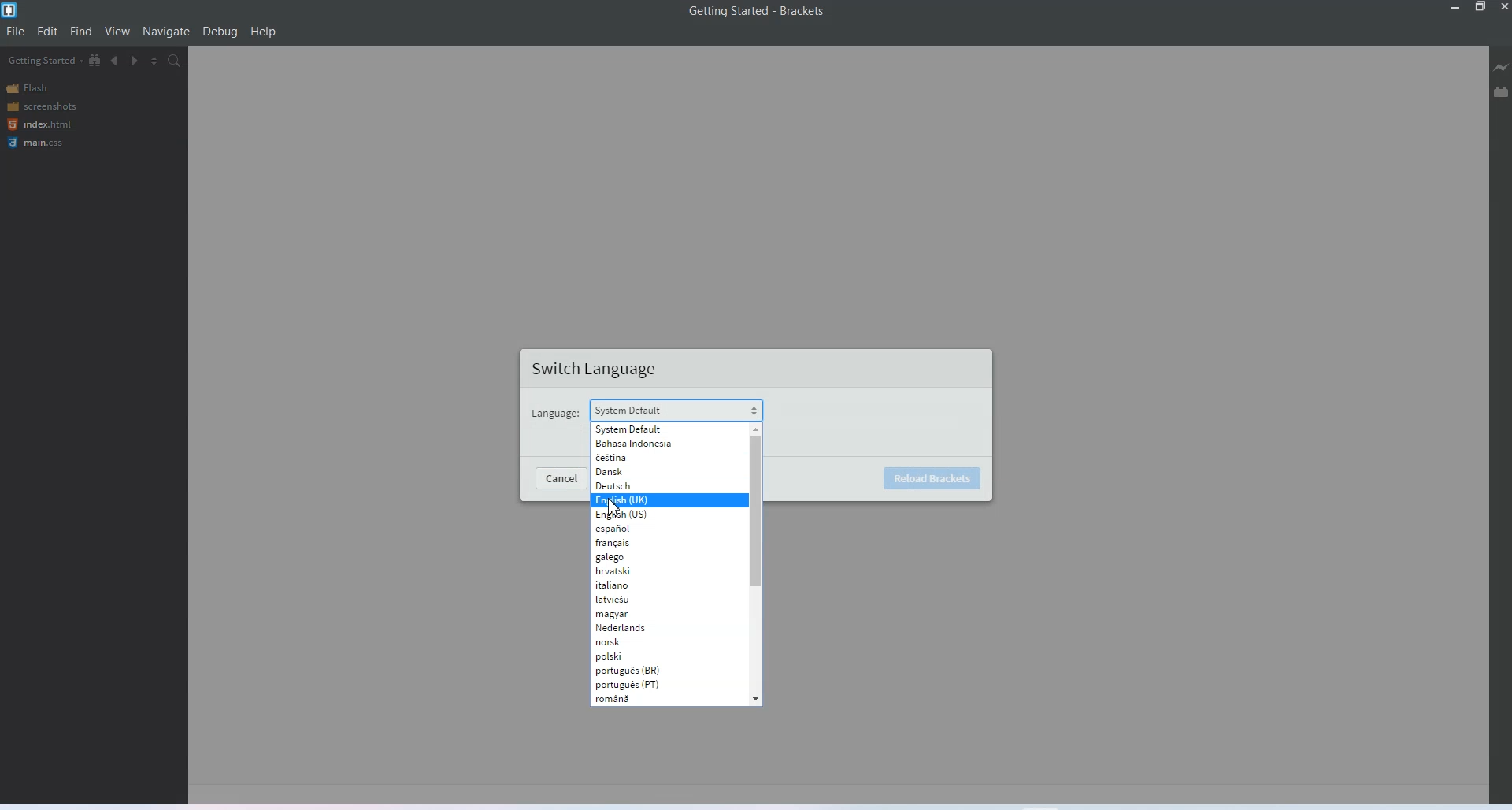 The image size is (1512, 810). I want to click on Find, so click(82, 32).